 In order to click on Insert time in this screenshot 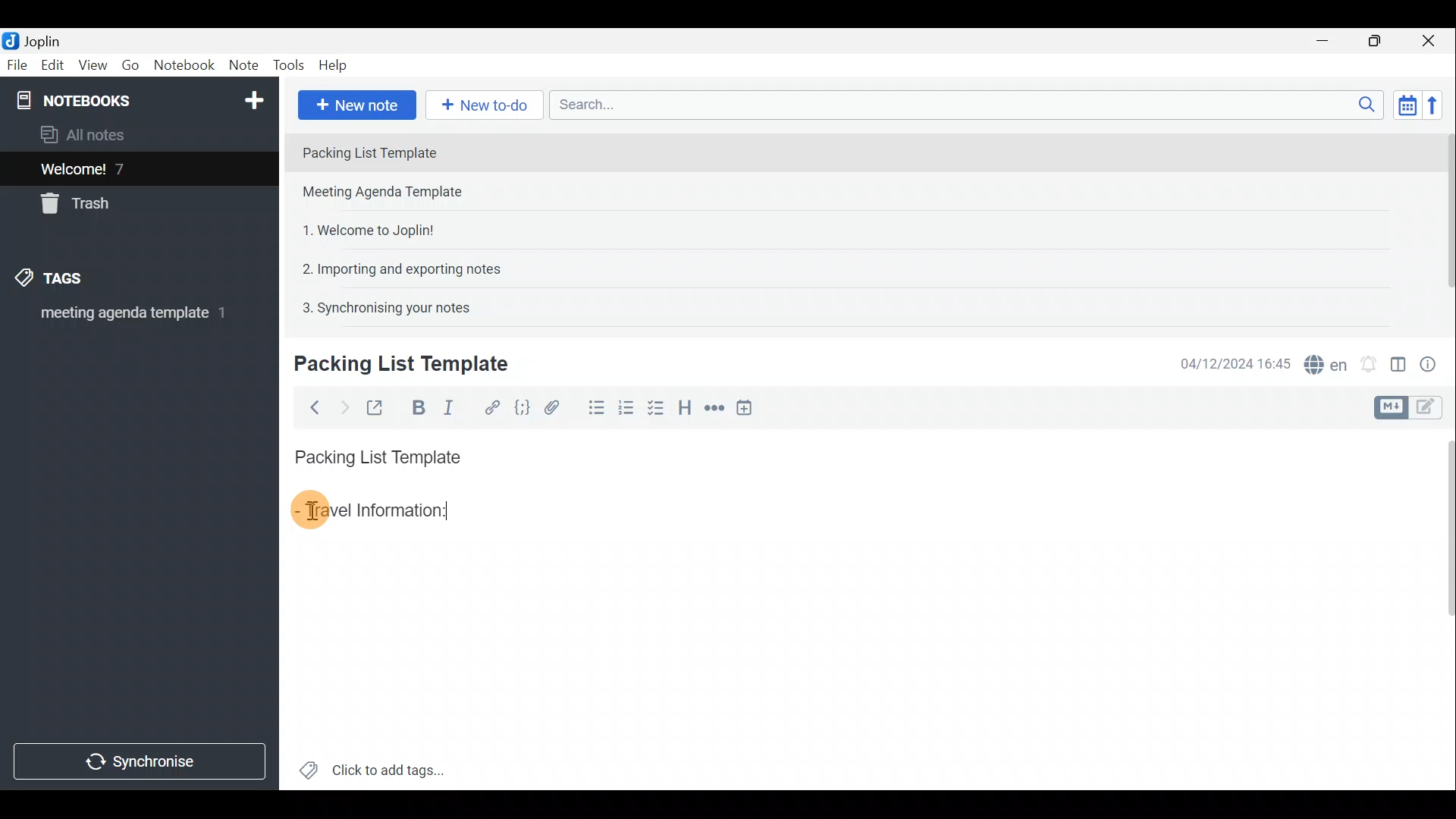, I will do `click(749, 407)`.